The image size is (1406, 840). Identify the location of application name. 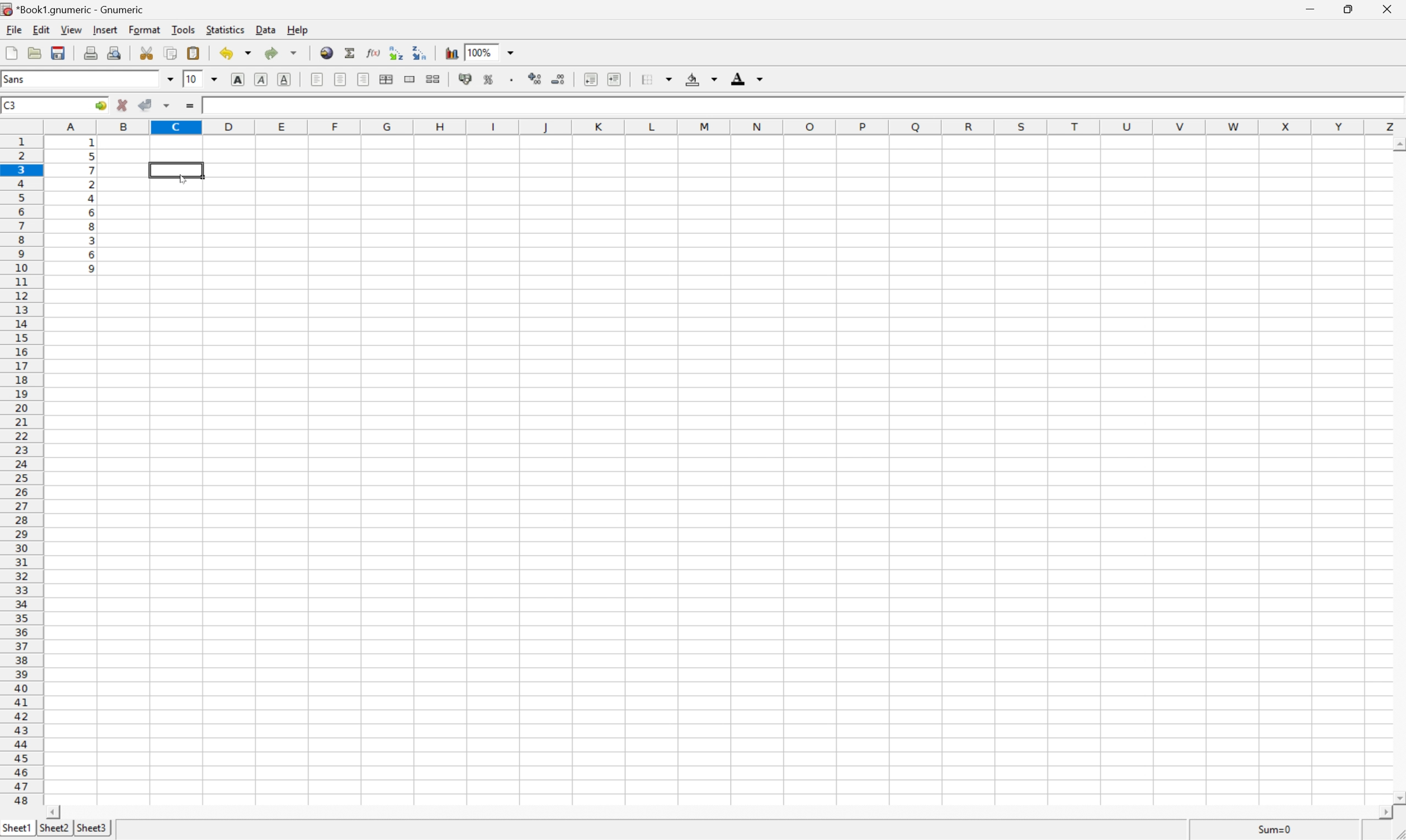
(81, 8).